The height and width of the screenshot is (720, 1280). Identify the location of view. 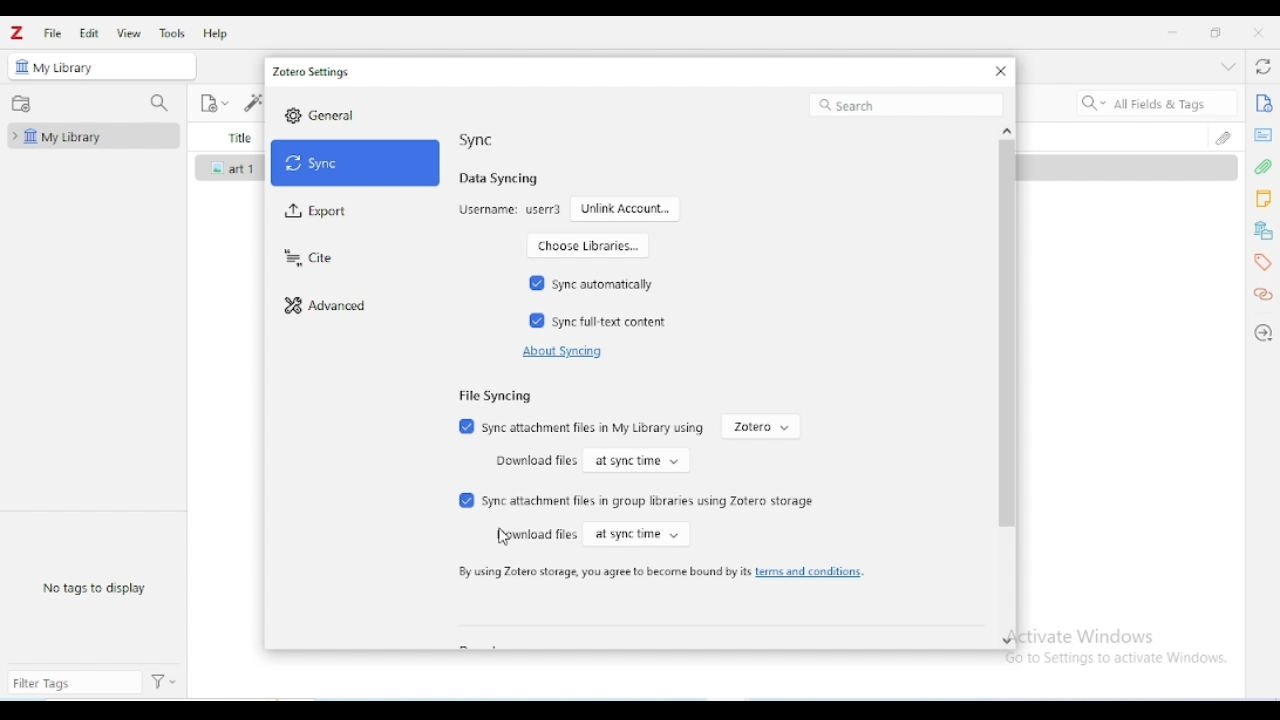
(130, 33).